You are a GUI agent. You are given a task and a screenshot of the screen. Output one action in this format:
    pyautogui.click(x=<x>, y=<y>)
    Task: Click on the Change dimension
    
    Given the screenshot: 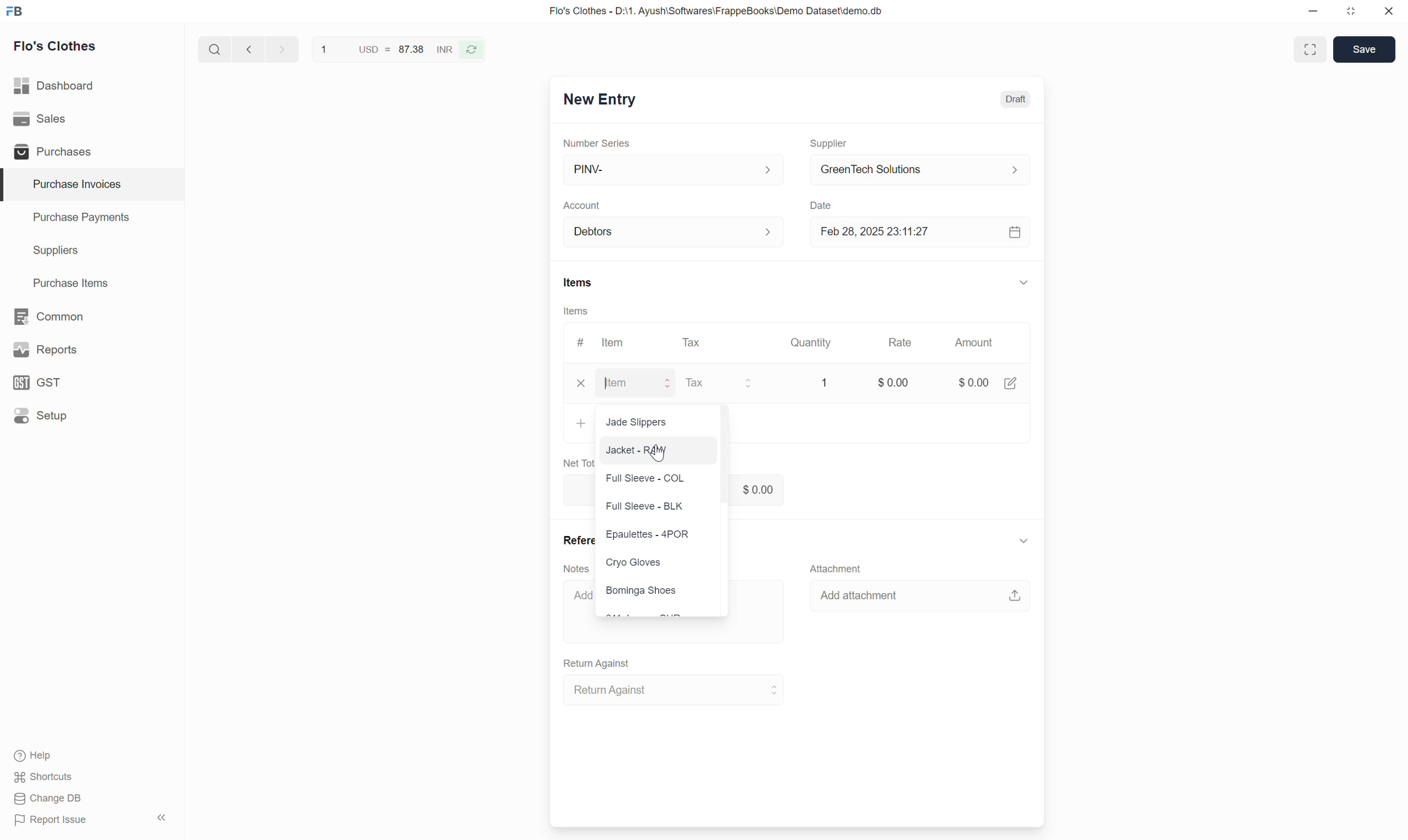 What is the action you would take?
    pyautogui.click(x=1350, y=11)
    